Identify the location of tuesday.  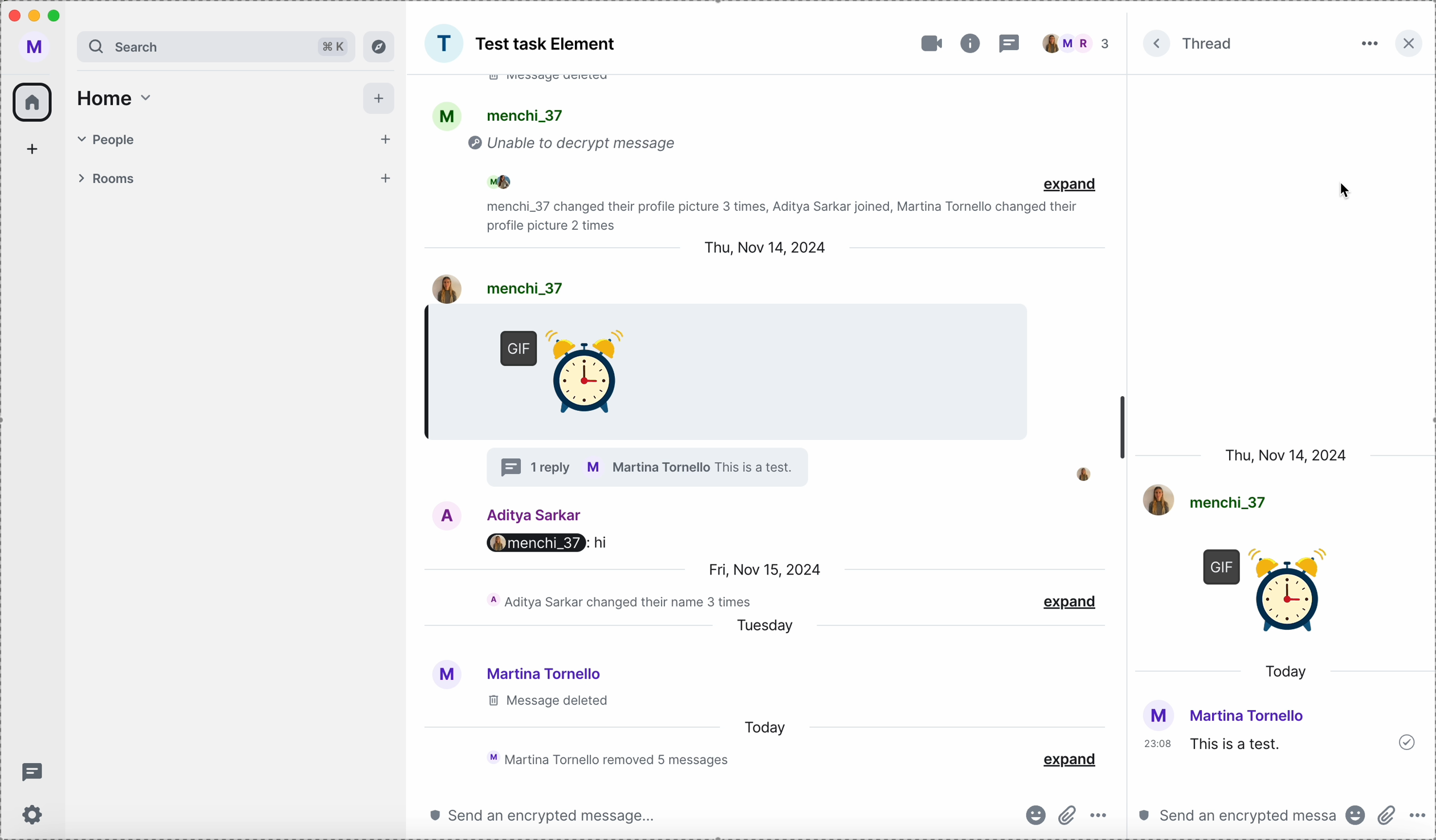
(771, 626).